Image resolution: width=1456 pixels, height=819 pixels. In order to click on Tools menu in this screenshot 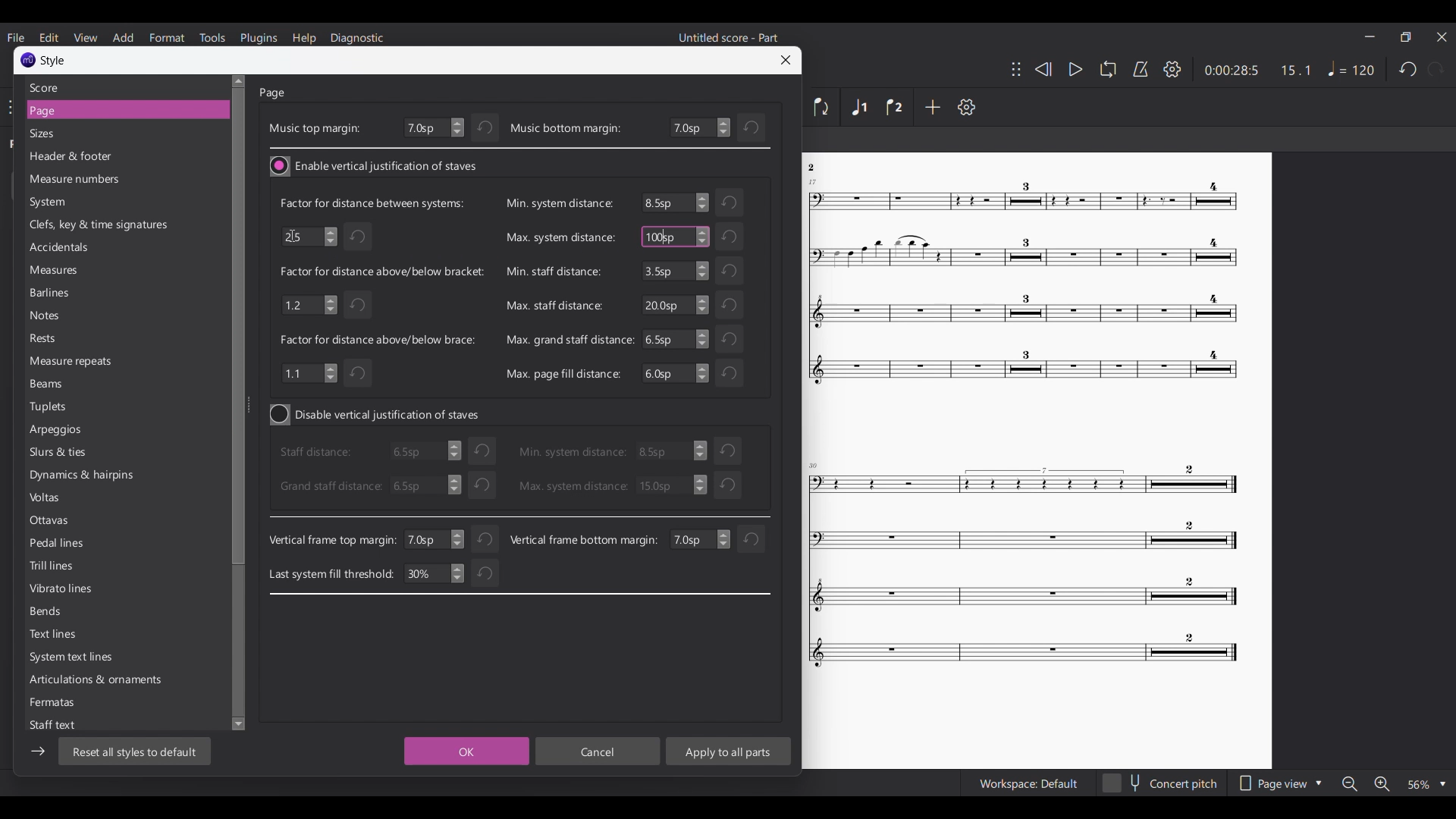, I will do `click(212, 37)`.